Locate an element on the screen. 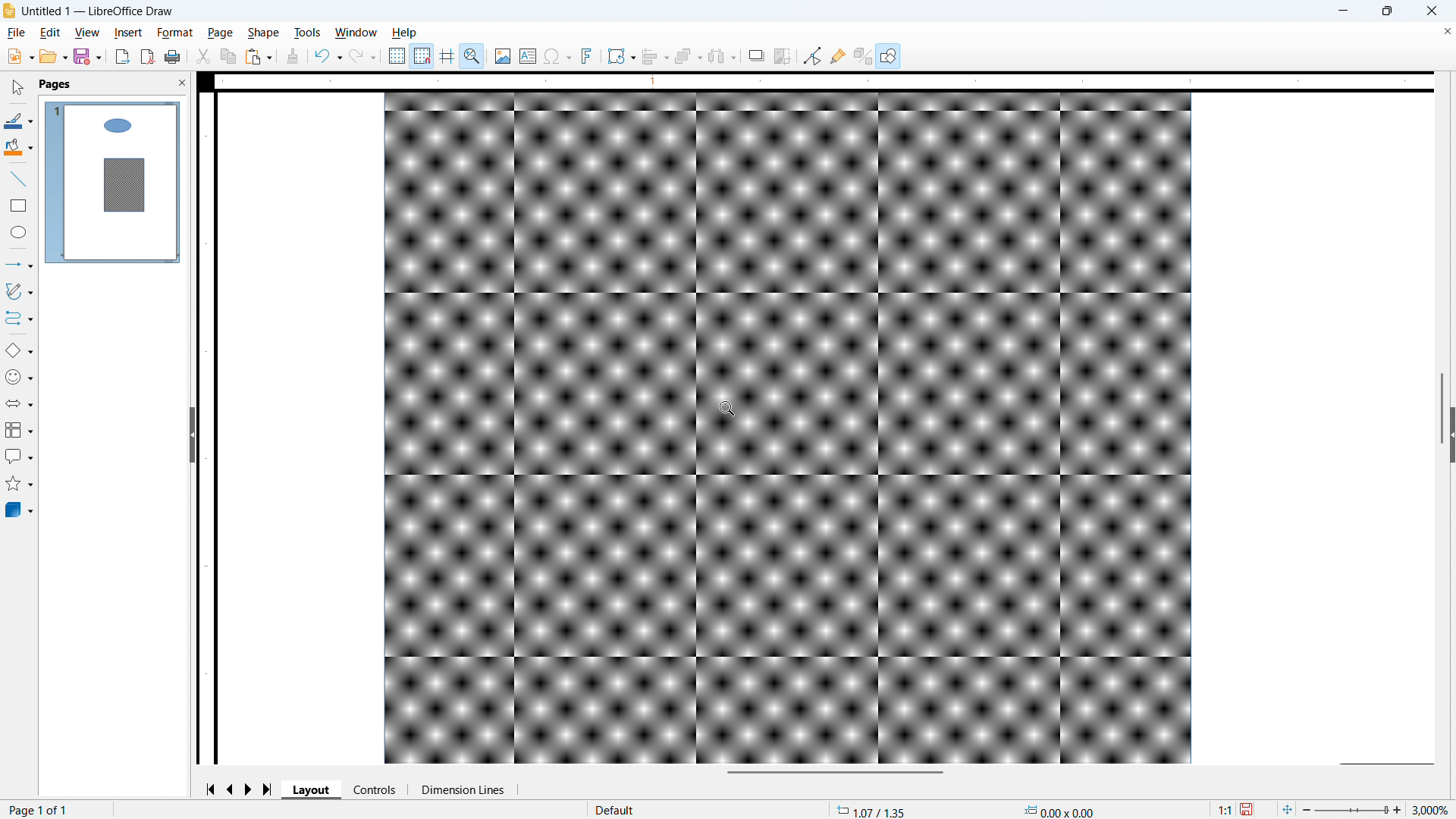  open  is located at coordinates (53, 57).